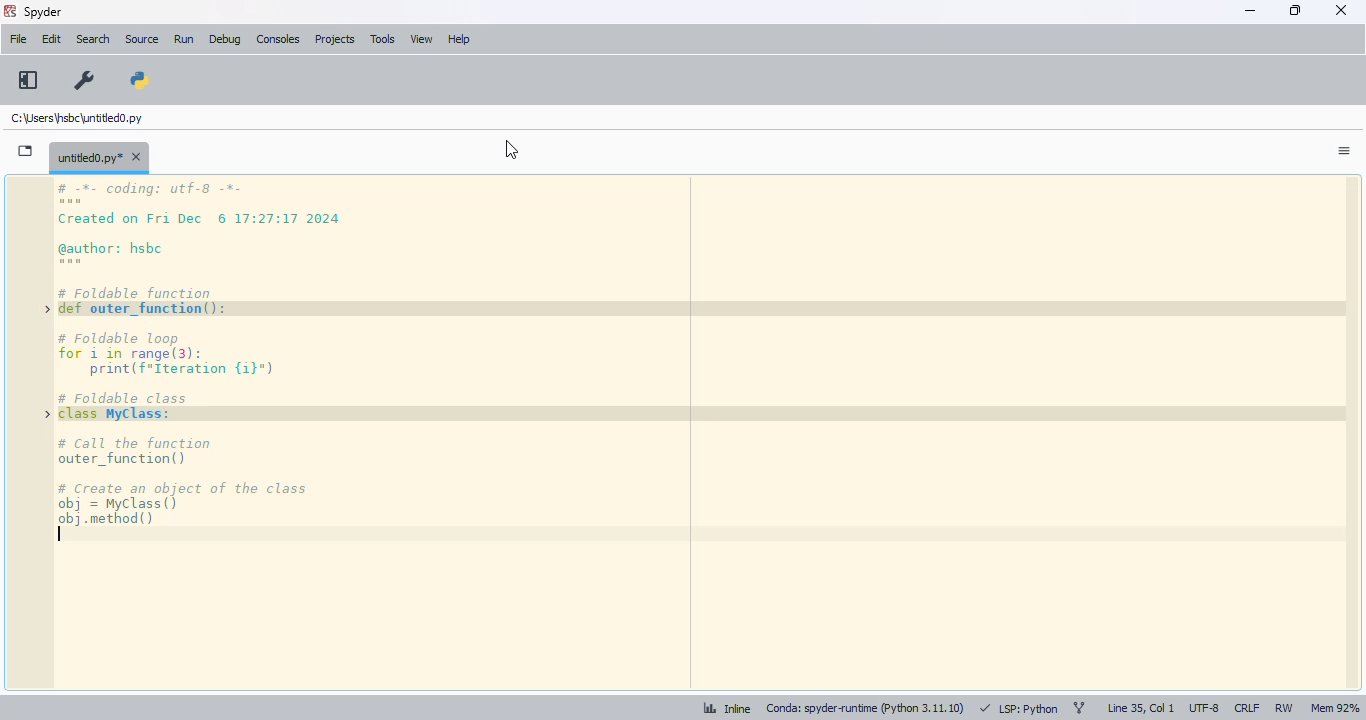 This screenshot has width=1366, height=720. What do you see at coordinates (1295, 10) in the screenshot?
I see `maximize` at bounding box center [1295, 10].